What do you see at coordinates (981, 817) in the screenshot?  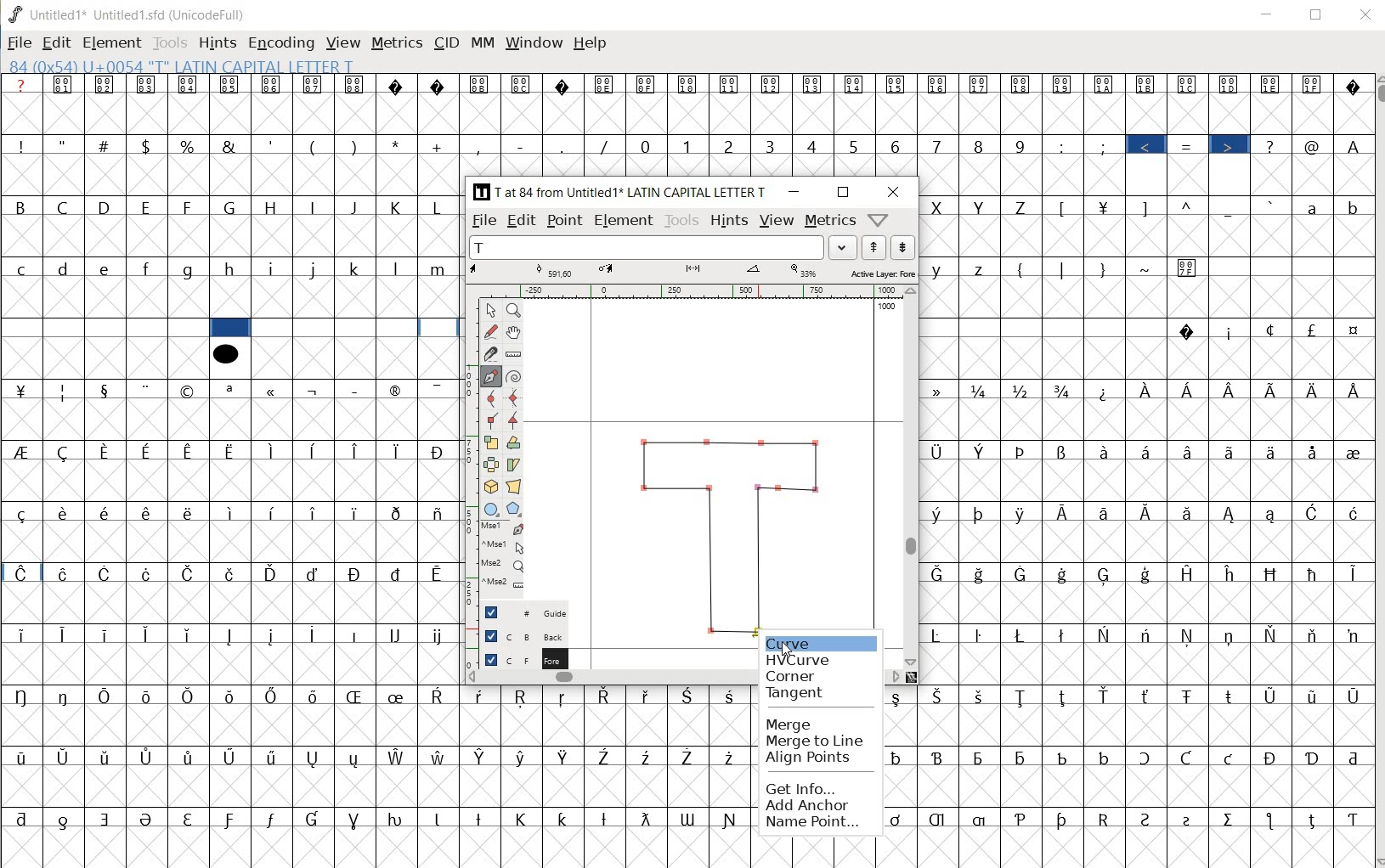 I see `` at bounding box center [981, 817].